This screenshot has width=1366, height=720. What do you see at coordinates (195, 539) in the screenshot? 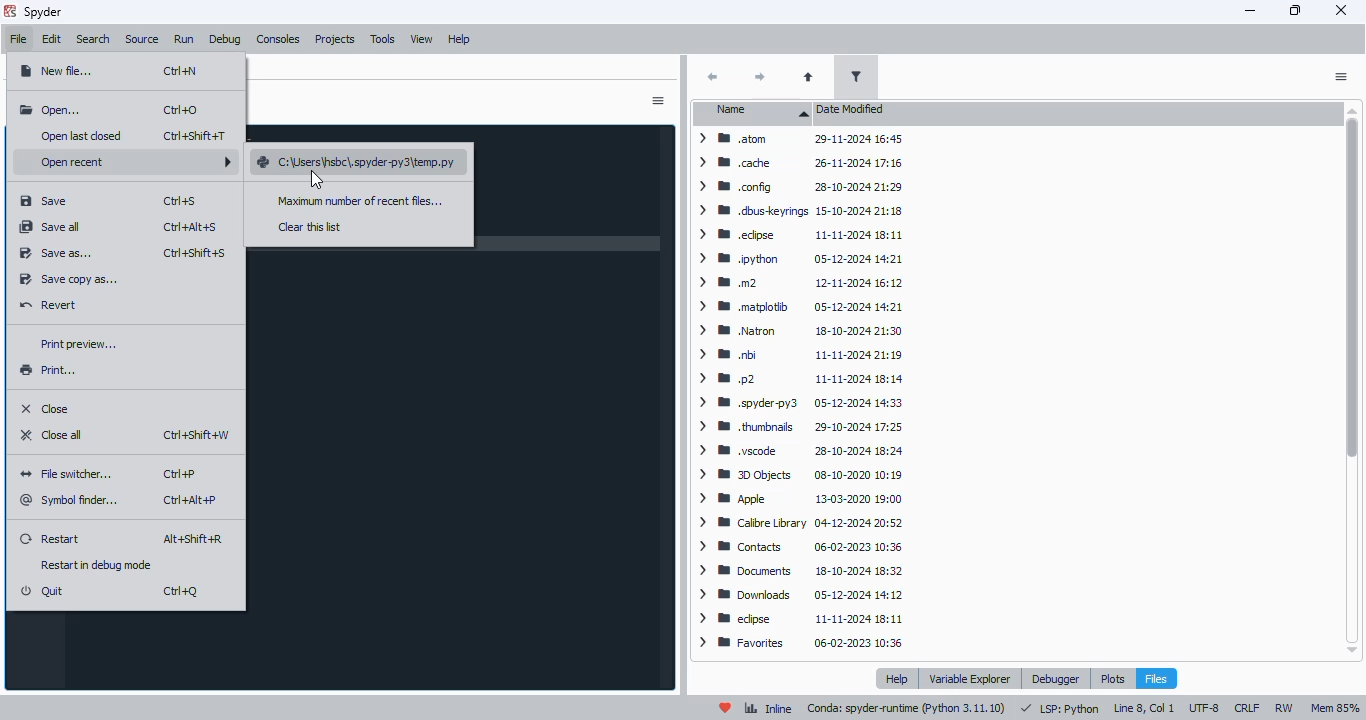
I see `shortcut for restart` at bounding box center [195, 539].